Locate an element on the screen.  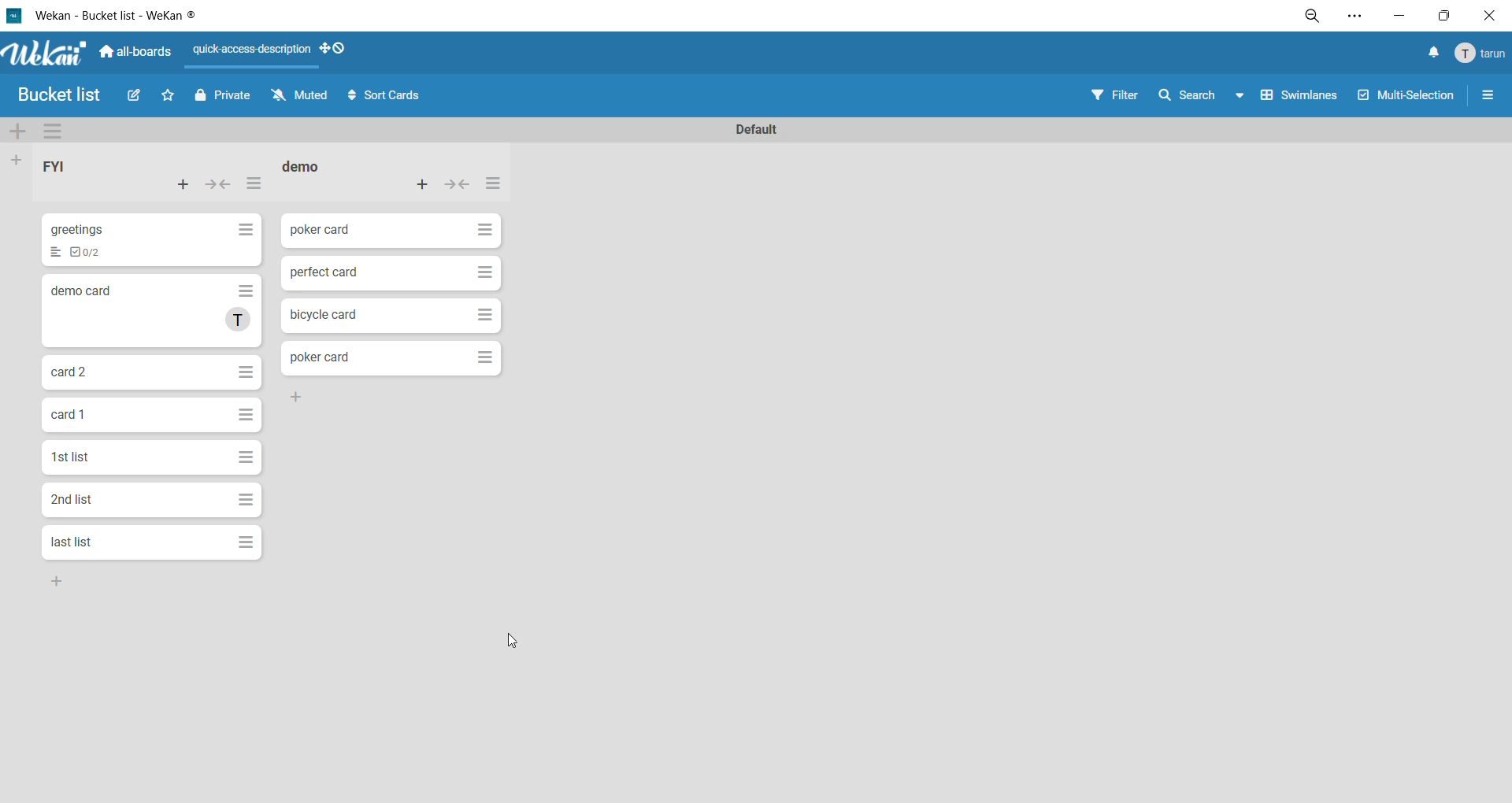
app title is located at coordinates (108, 16).